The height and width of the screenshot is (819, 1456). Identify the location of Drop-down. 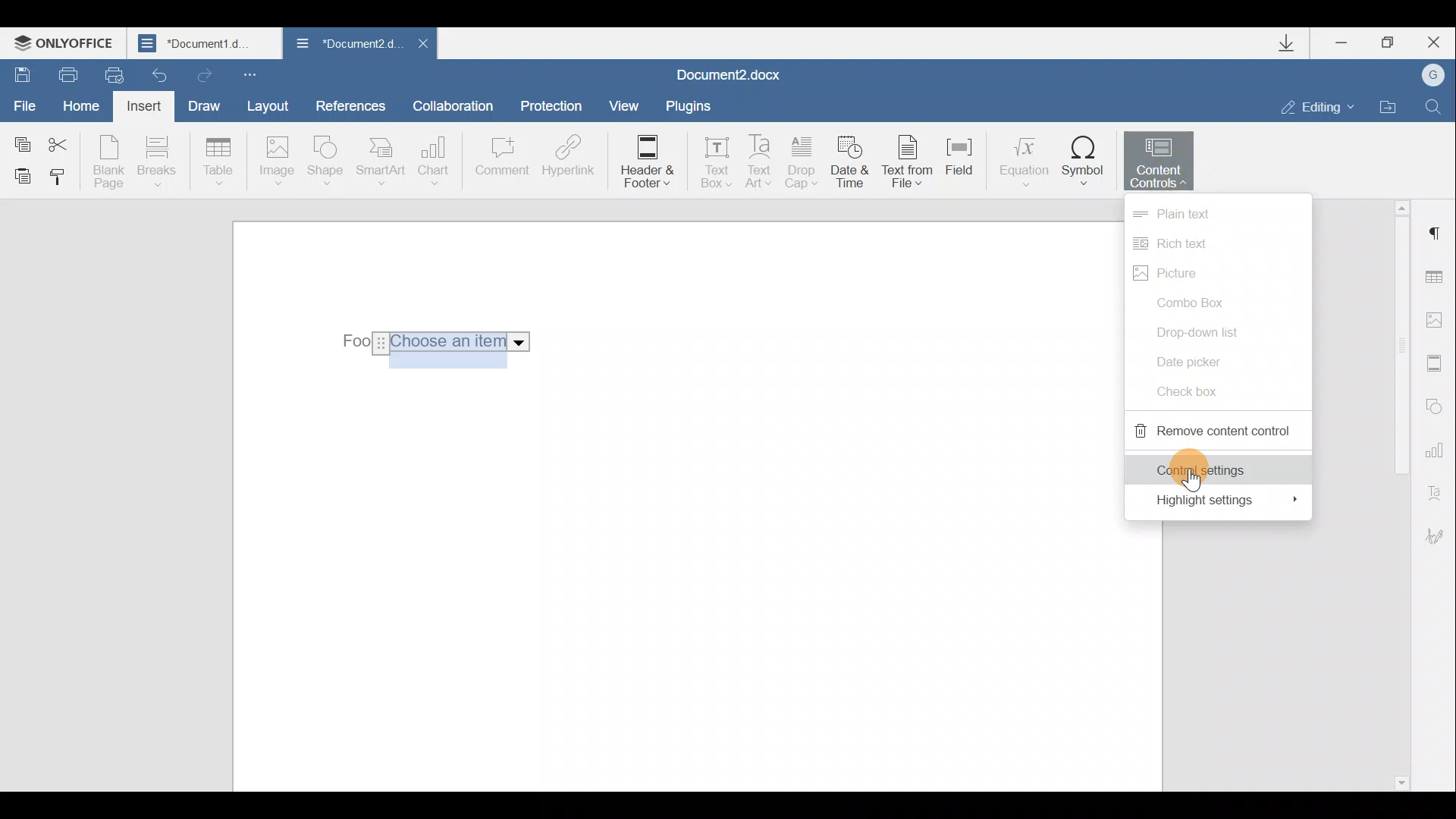
(431, 342).